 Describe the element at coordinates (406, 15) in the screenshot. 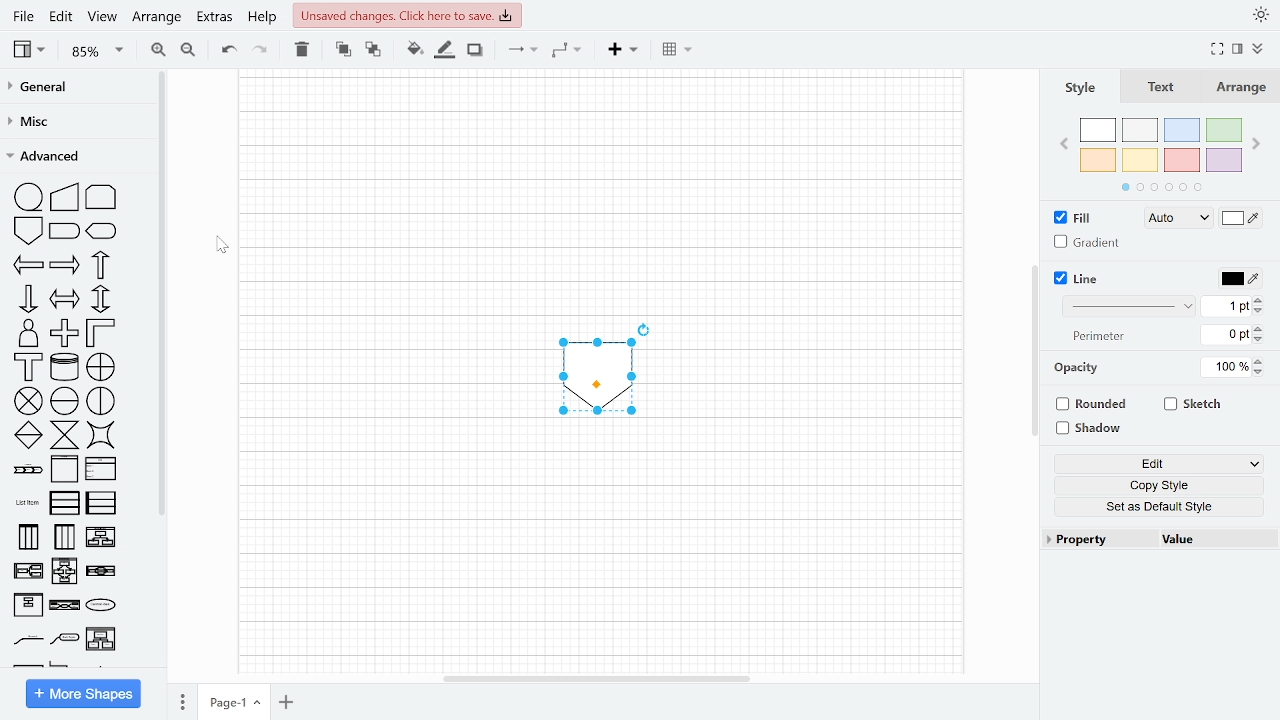

I see `Unsaved changes. Click here to save` at that location.